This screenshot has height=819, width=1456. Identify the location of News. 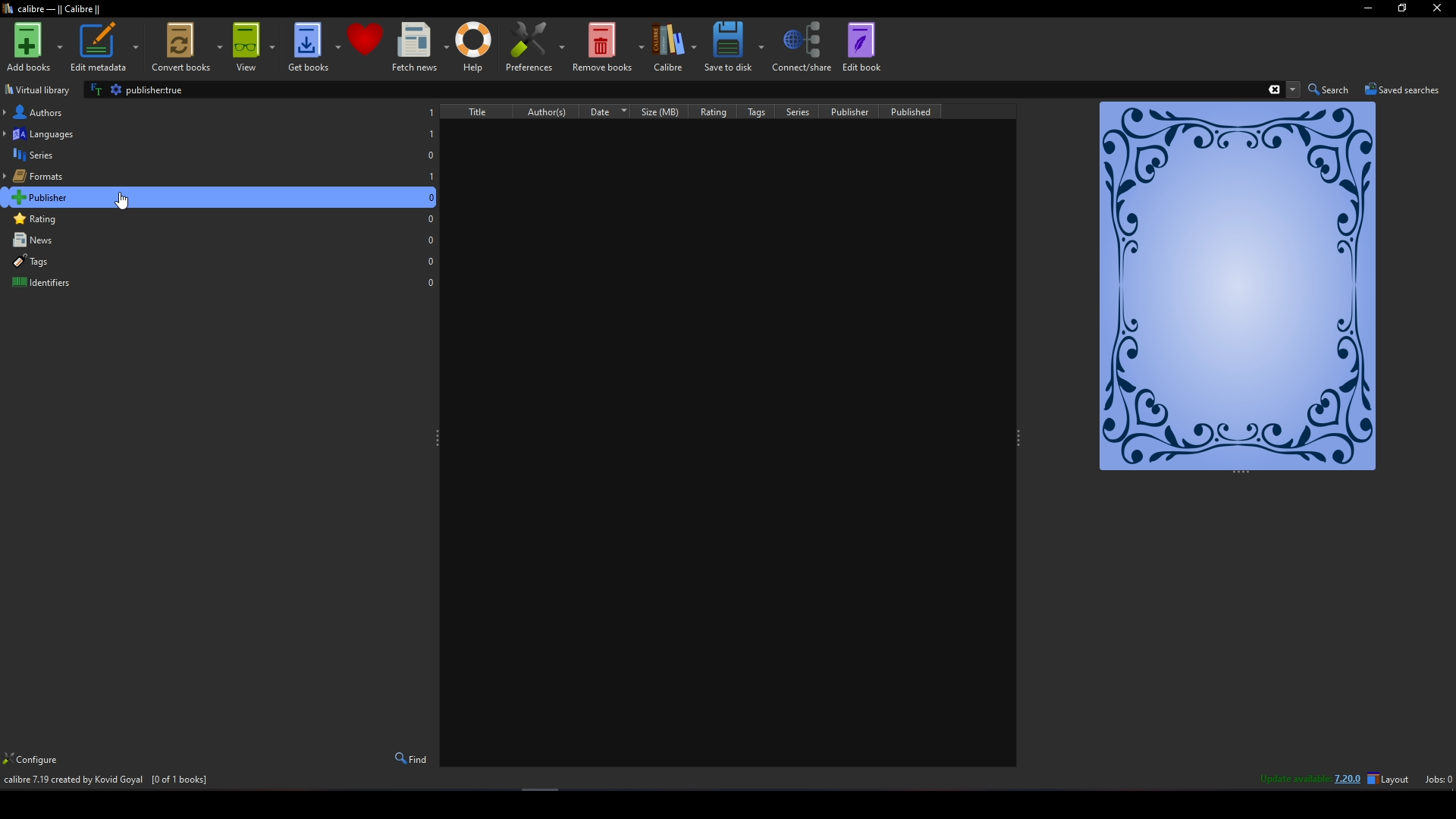
(221, 240).